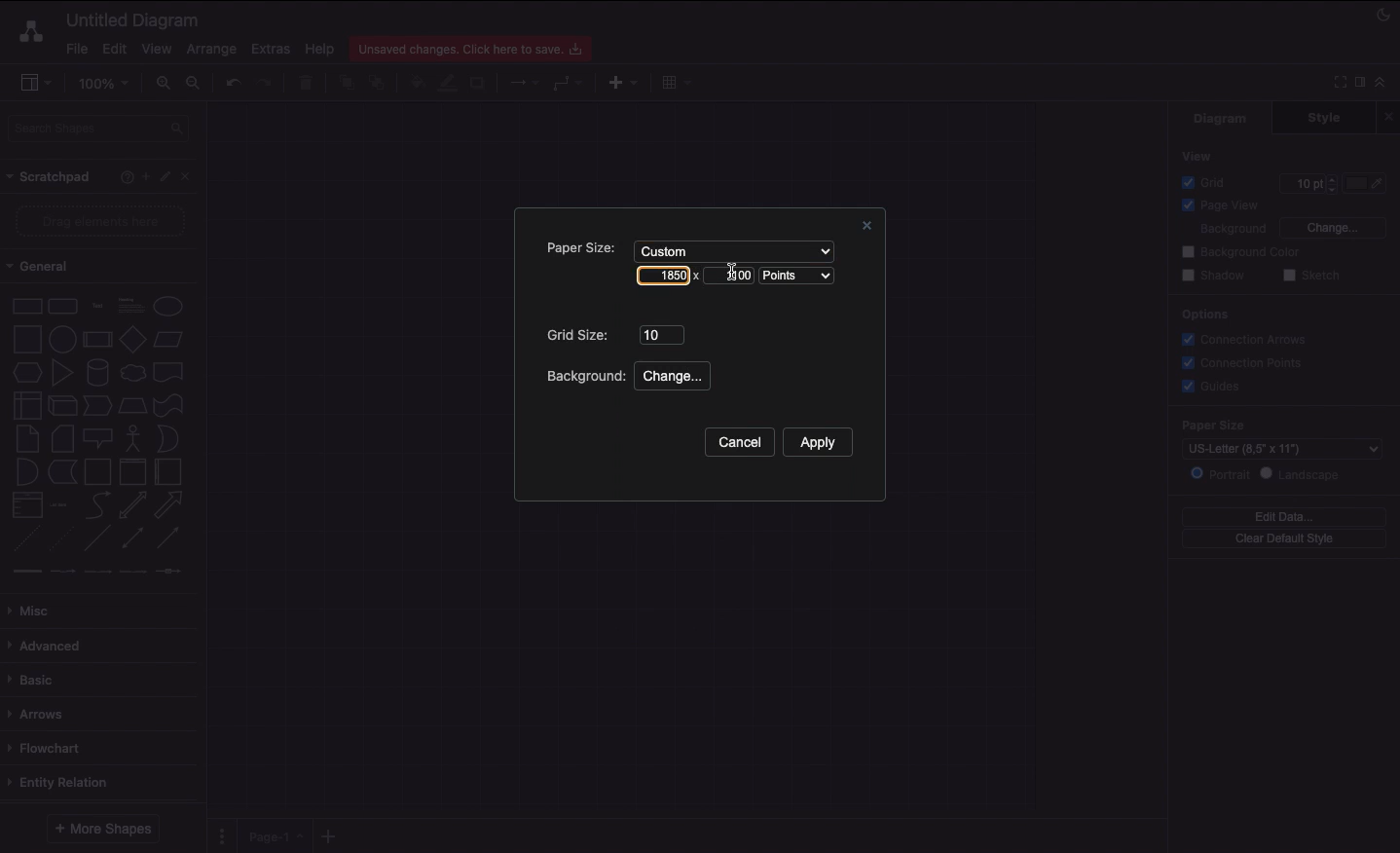 The height and width of the screenshot is (853, 1400). What do you see at coordinates (574, 247) in the screenshot?
I see `Paper size` at bounding box center [574, 247].